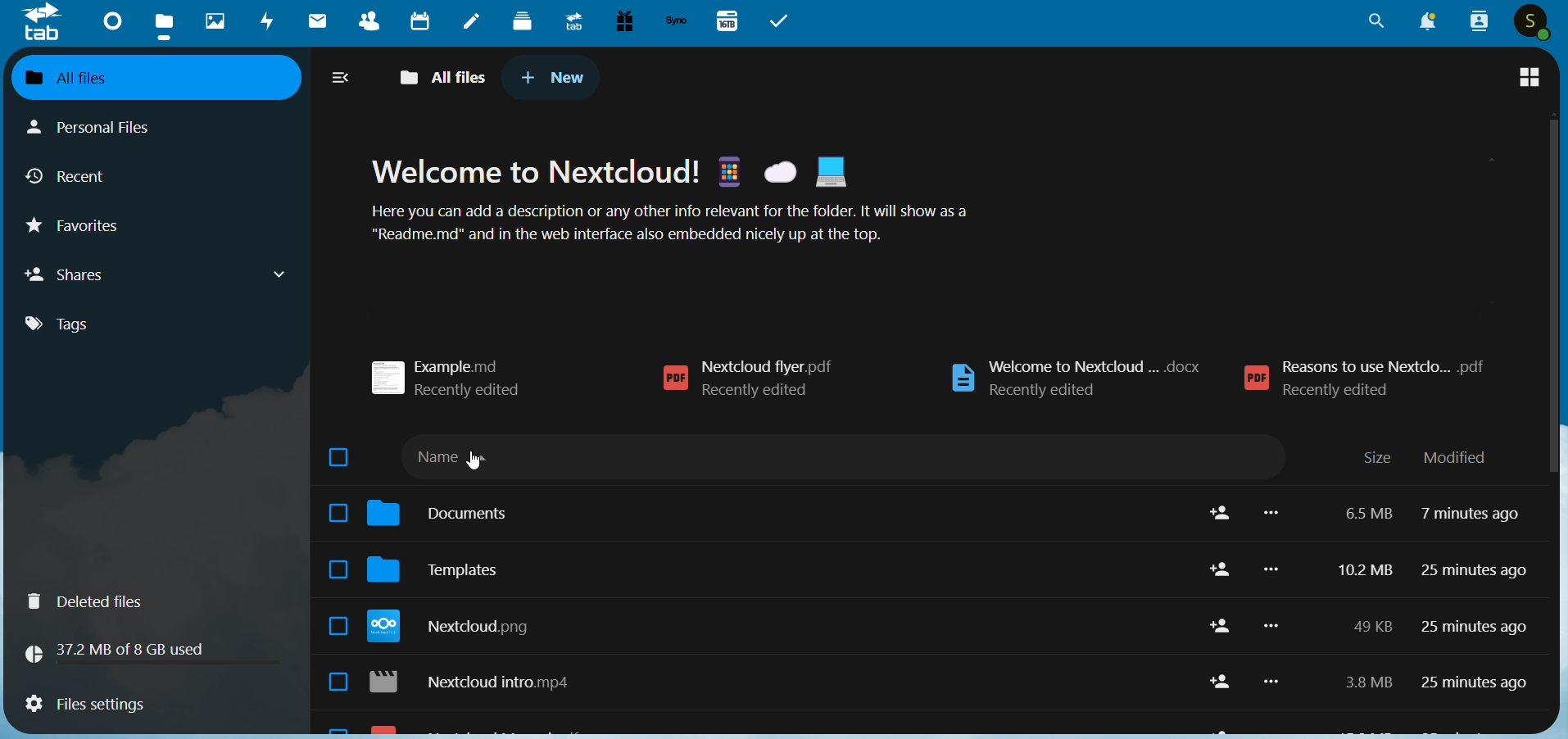  What do you see at coordinates (1380, 371) in the screenshot?
I see `reasons to use nextcloud... pdf recently edited` at bounding box center [1380, 371].